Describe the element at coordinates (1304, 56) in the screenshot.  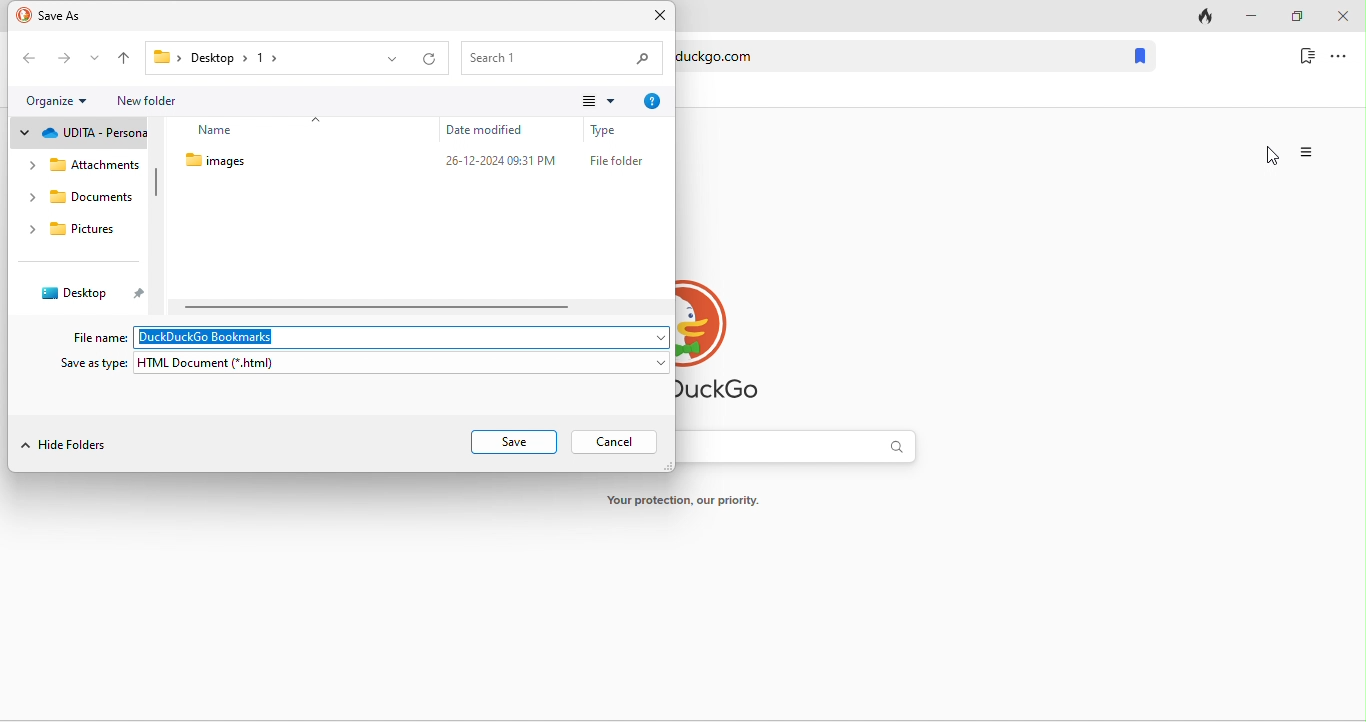
I see `bookmark` at that location.